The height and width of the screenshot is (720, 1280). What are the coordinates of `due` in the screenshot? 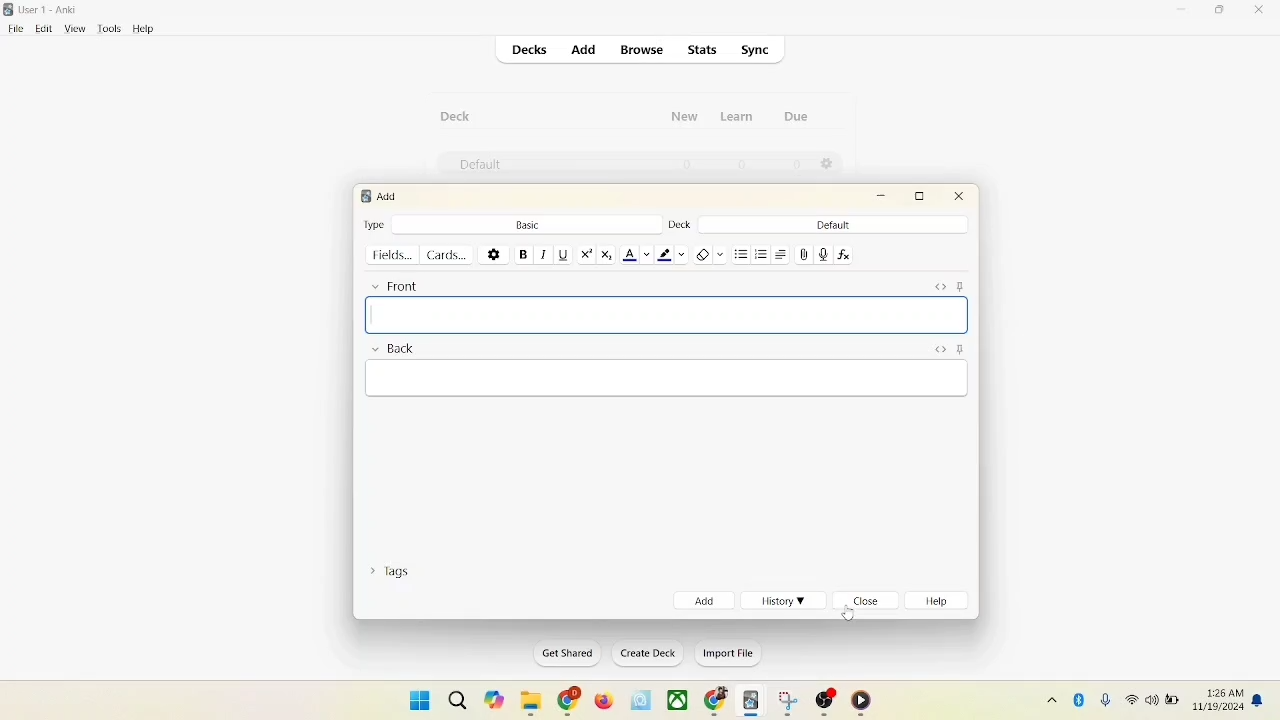 It's located at (796, 116).